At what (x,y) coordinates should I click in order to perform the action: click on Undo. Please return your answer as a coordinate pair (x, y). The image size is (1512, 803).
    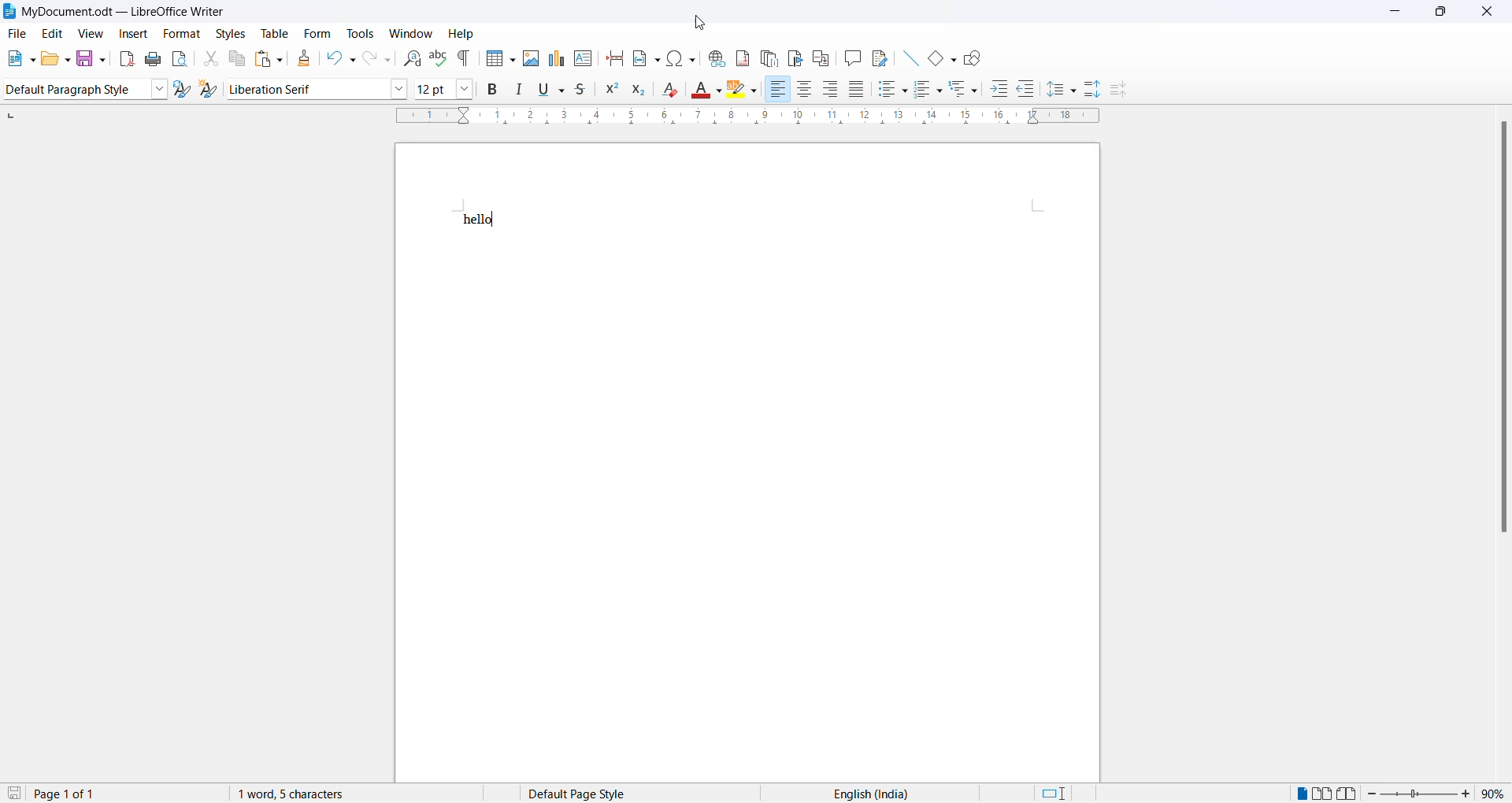
    Looking at the image, I should click on (334, 59).